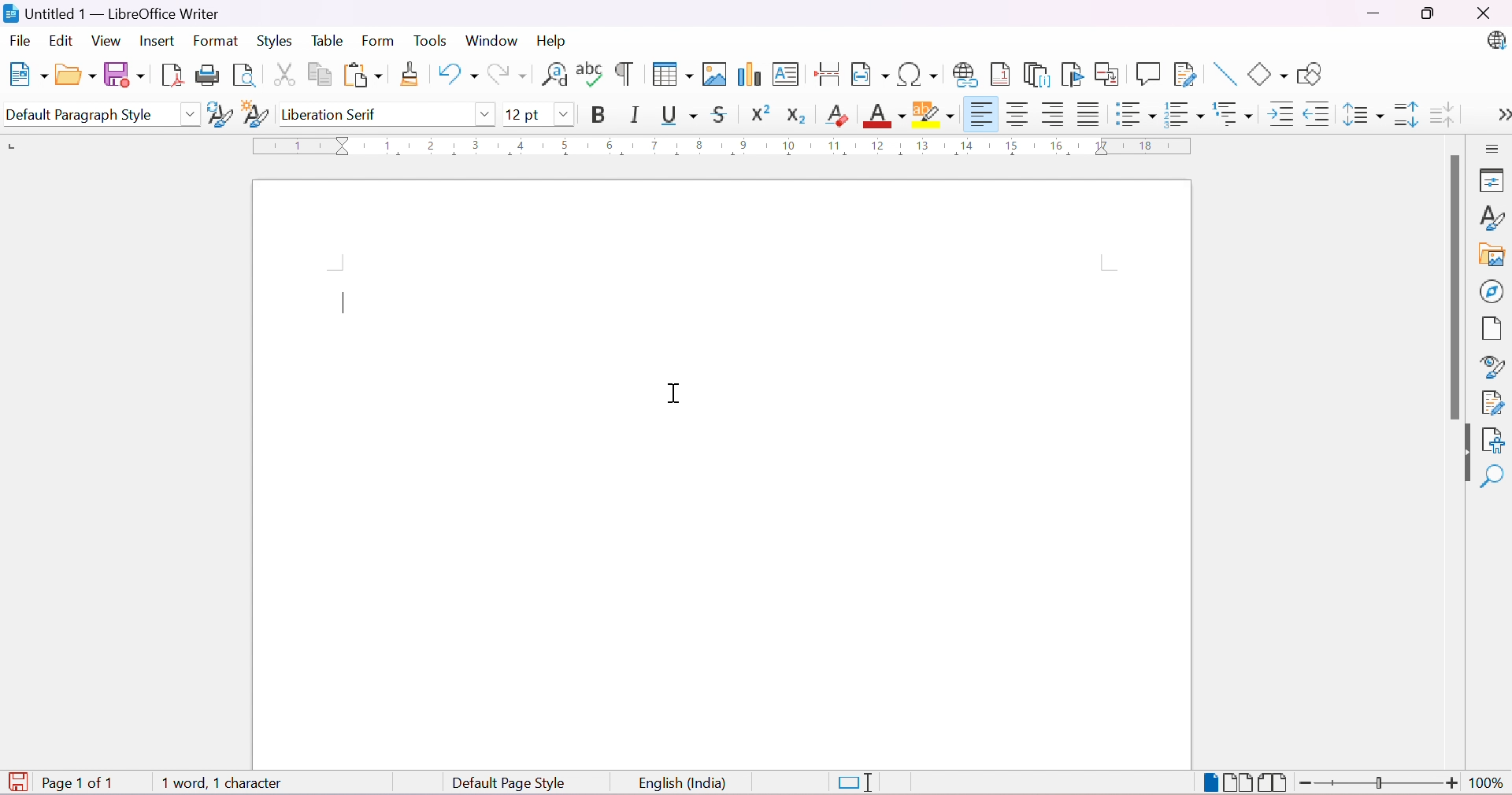  Describe the element at coordinates (932, 116) in the screenshot. I see `Character Highlighting Color` at that location.